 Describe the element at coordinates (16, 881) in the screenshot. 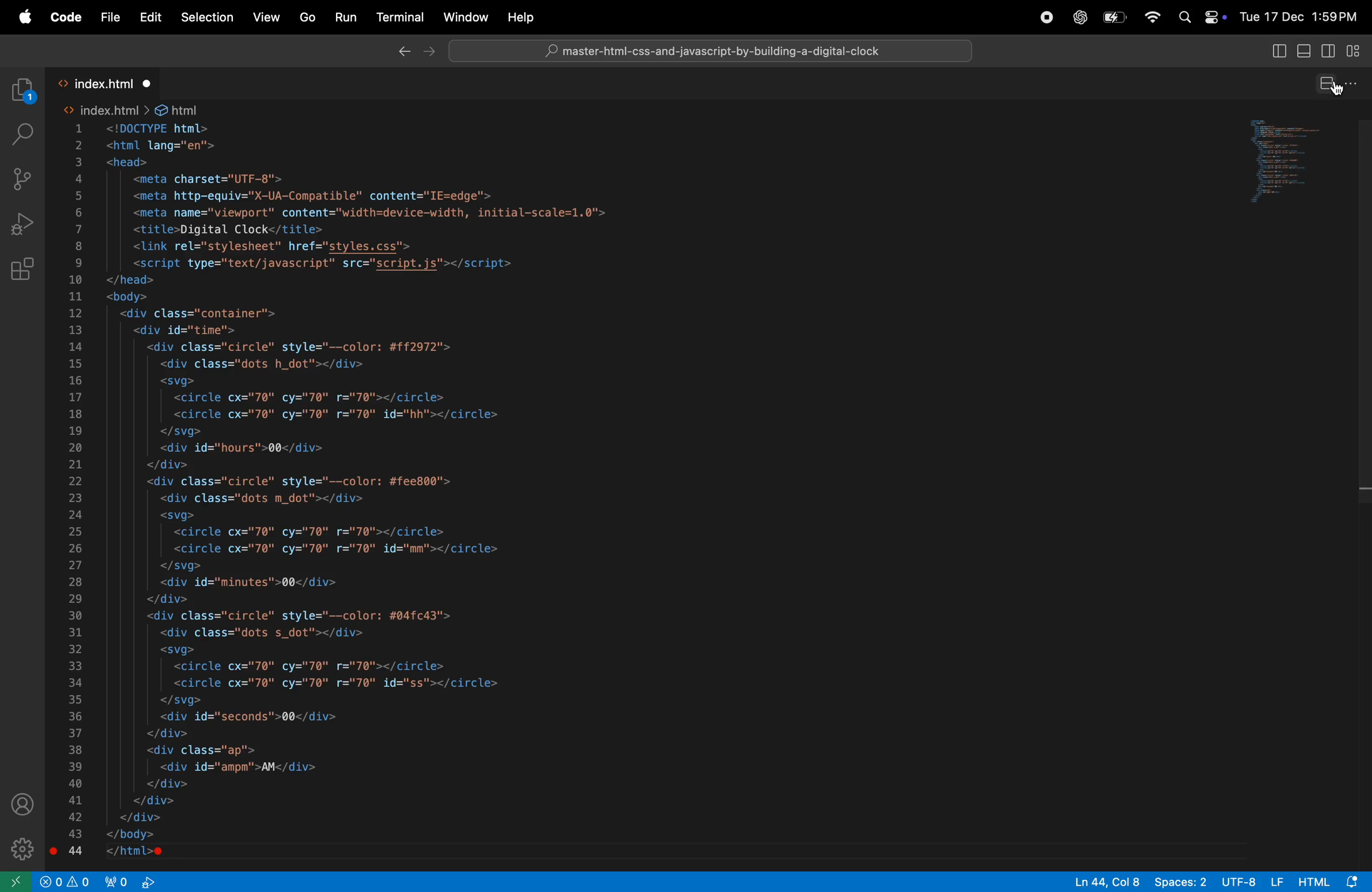

I see `open remote window` at that location.